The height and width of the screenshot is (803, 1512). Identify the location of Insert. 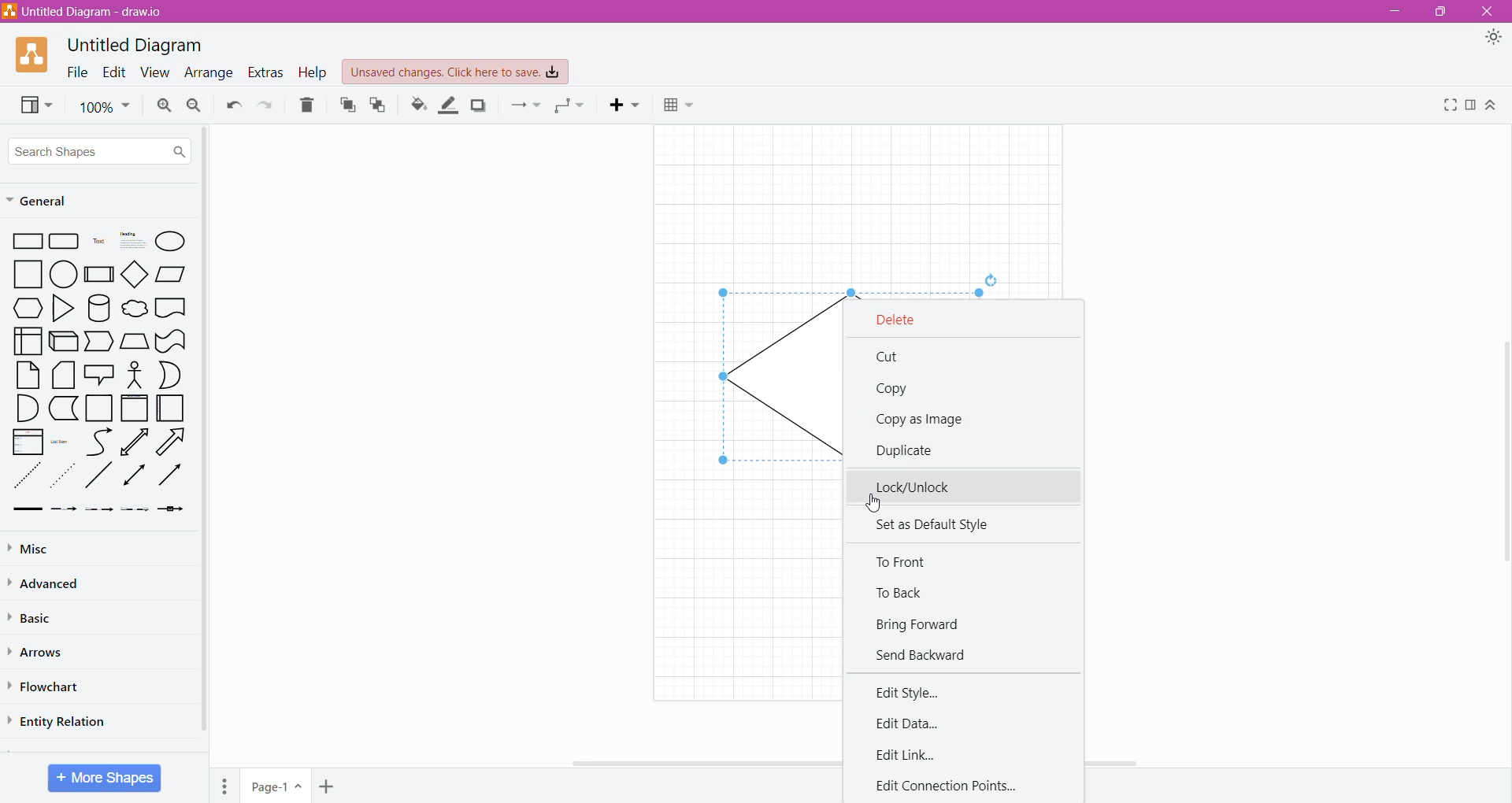
(623, 105).